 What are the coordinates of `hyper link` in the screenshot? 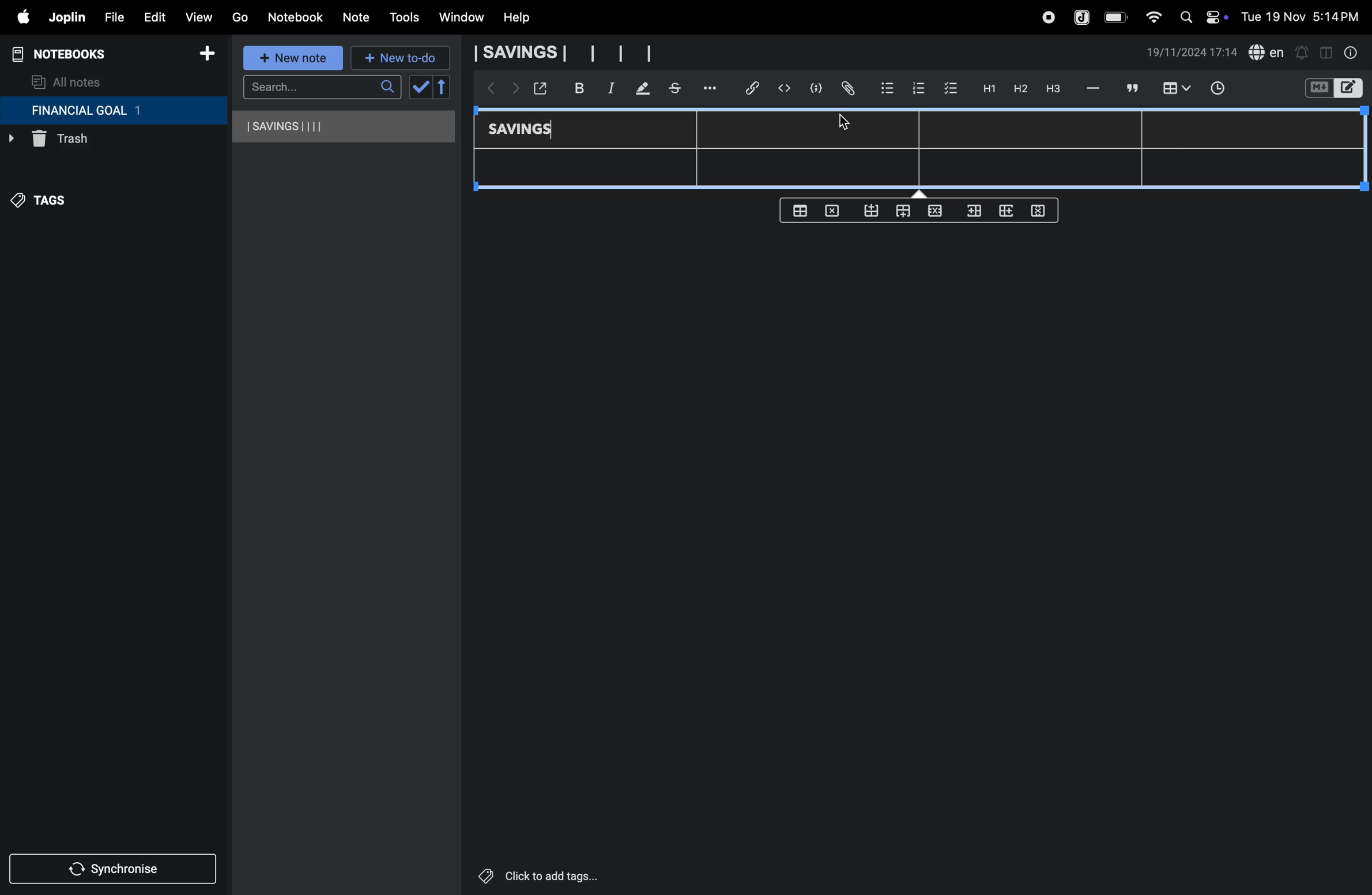 It's located at (756, 88).